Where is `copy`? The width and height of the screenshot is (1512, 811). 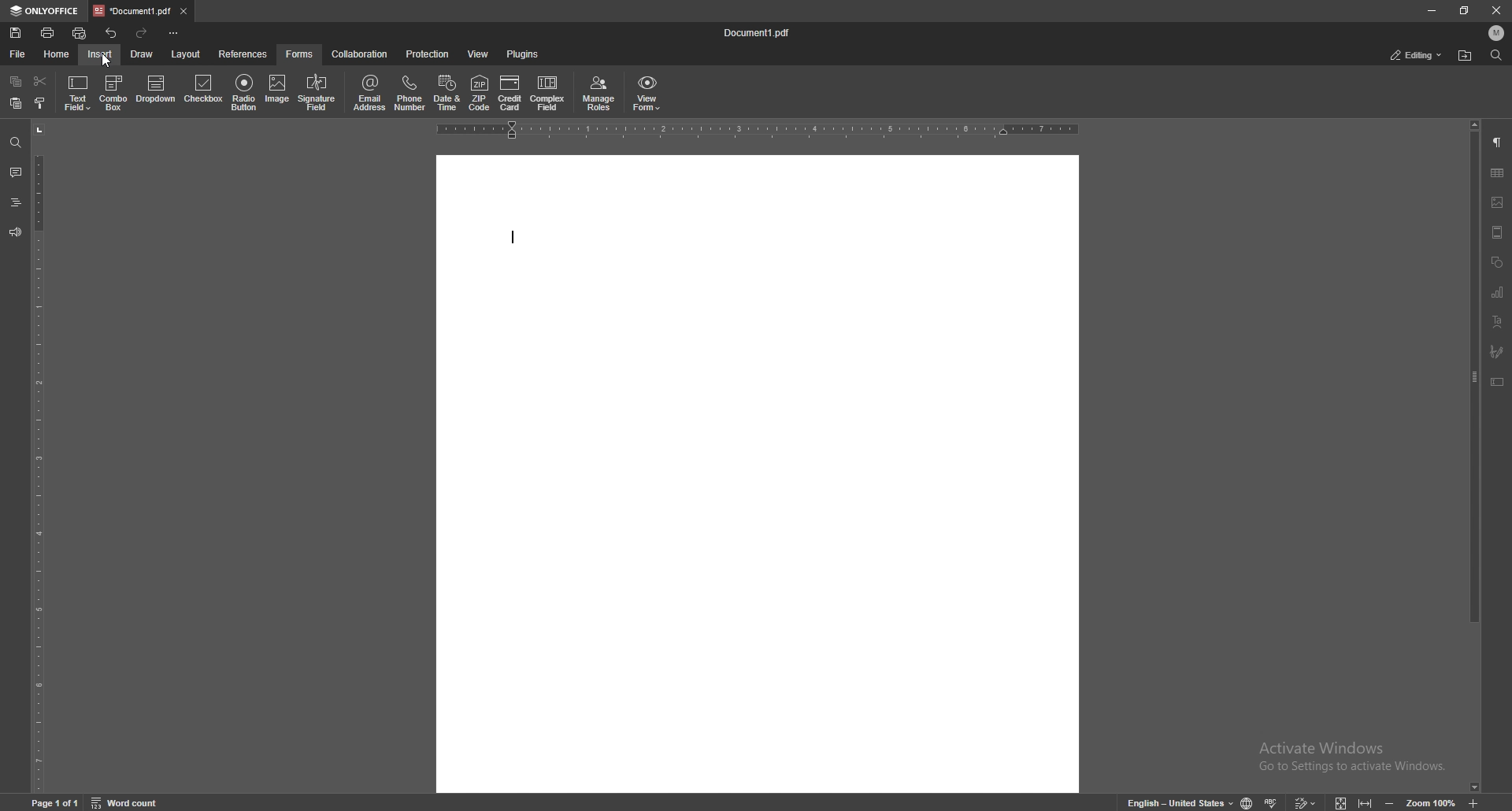
copy is located at coordinates (16, 81).